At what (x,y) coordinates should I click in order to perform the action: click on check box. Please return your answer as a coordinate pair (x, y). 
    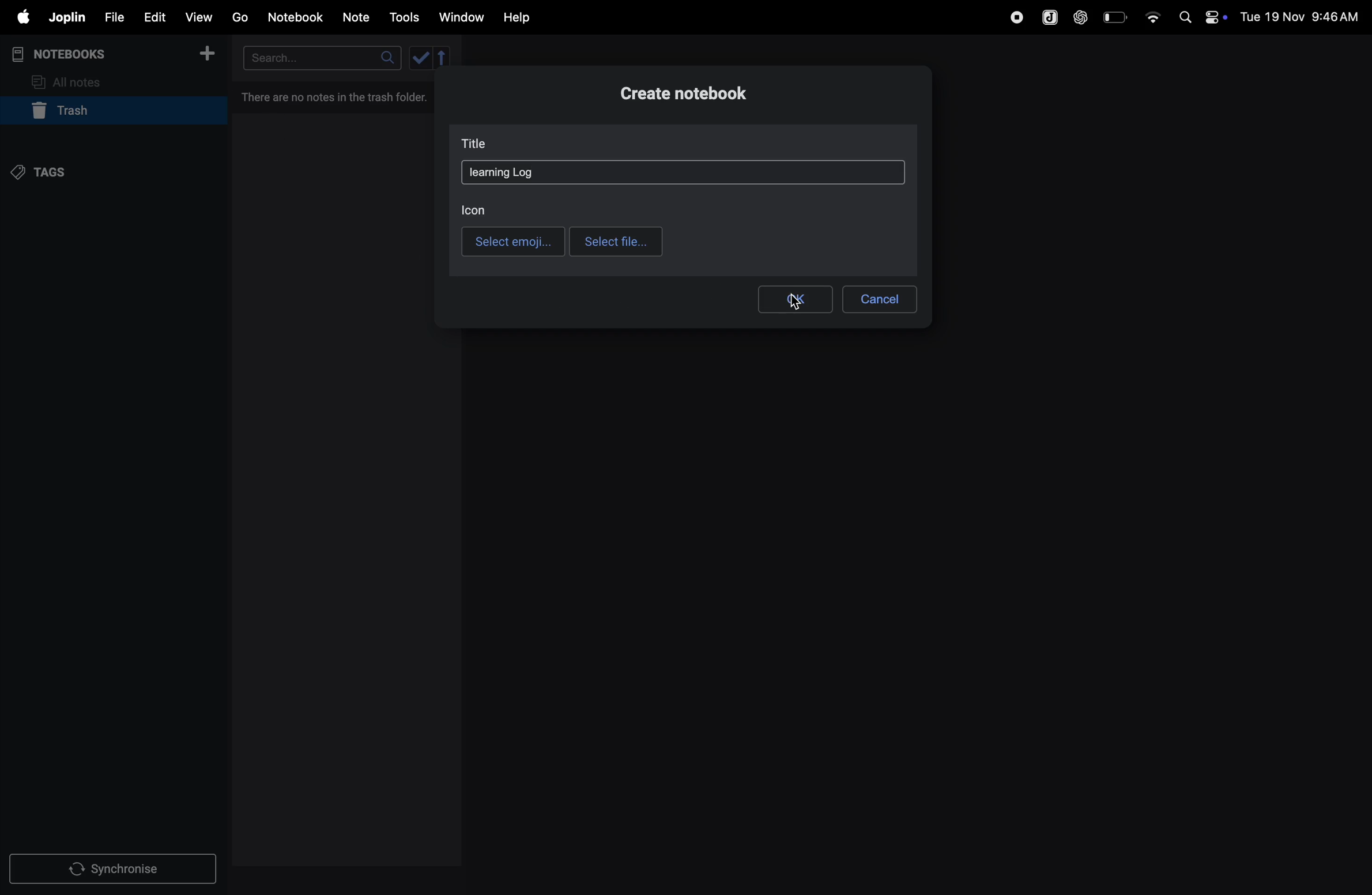
    Looking at the image, I should click on (432, 57).